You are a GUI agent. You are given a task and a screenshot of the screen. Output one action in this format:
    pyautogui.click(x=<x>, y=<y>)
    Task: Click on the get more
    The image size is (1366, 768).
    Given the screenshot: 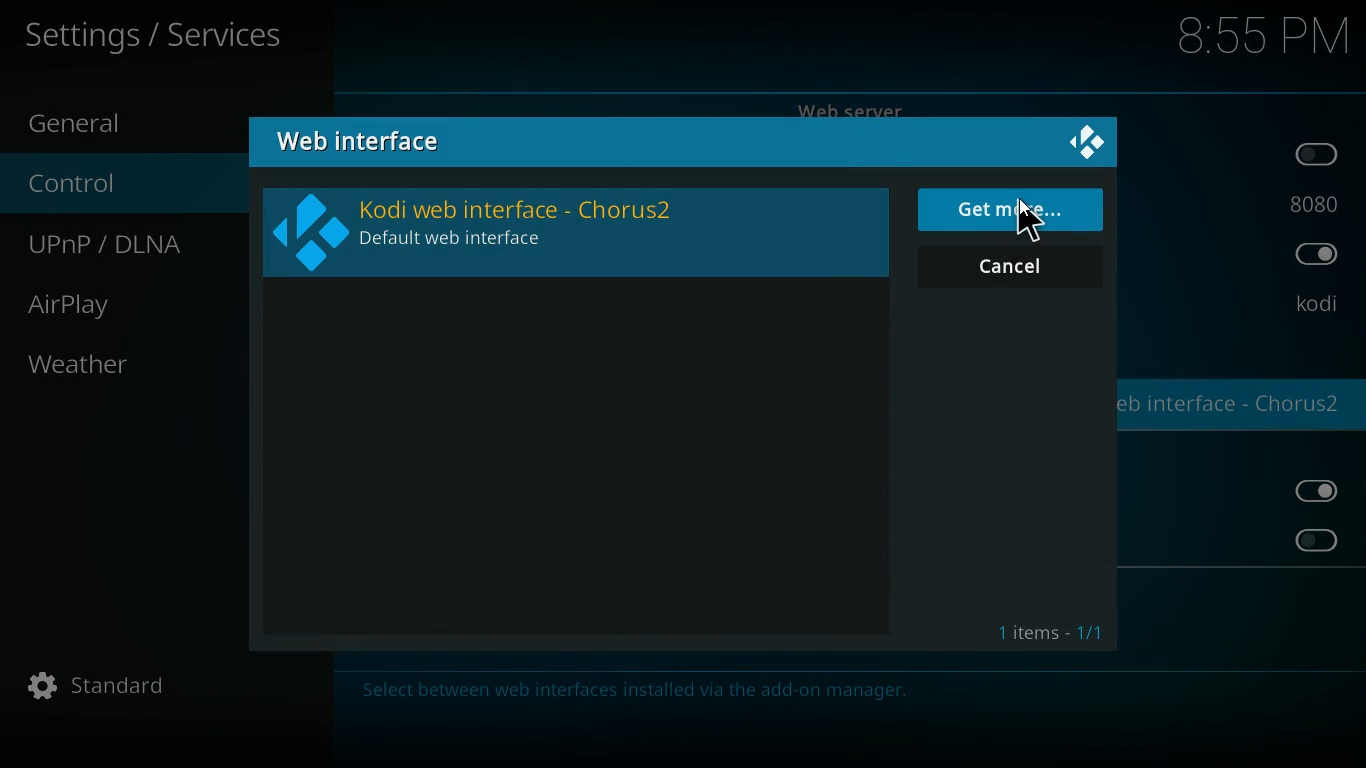 What is the action you would take?
    pyautogui.click(x=1013, y=210)
    